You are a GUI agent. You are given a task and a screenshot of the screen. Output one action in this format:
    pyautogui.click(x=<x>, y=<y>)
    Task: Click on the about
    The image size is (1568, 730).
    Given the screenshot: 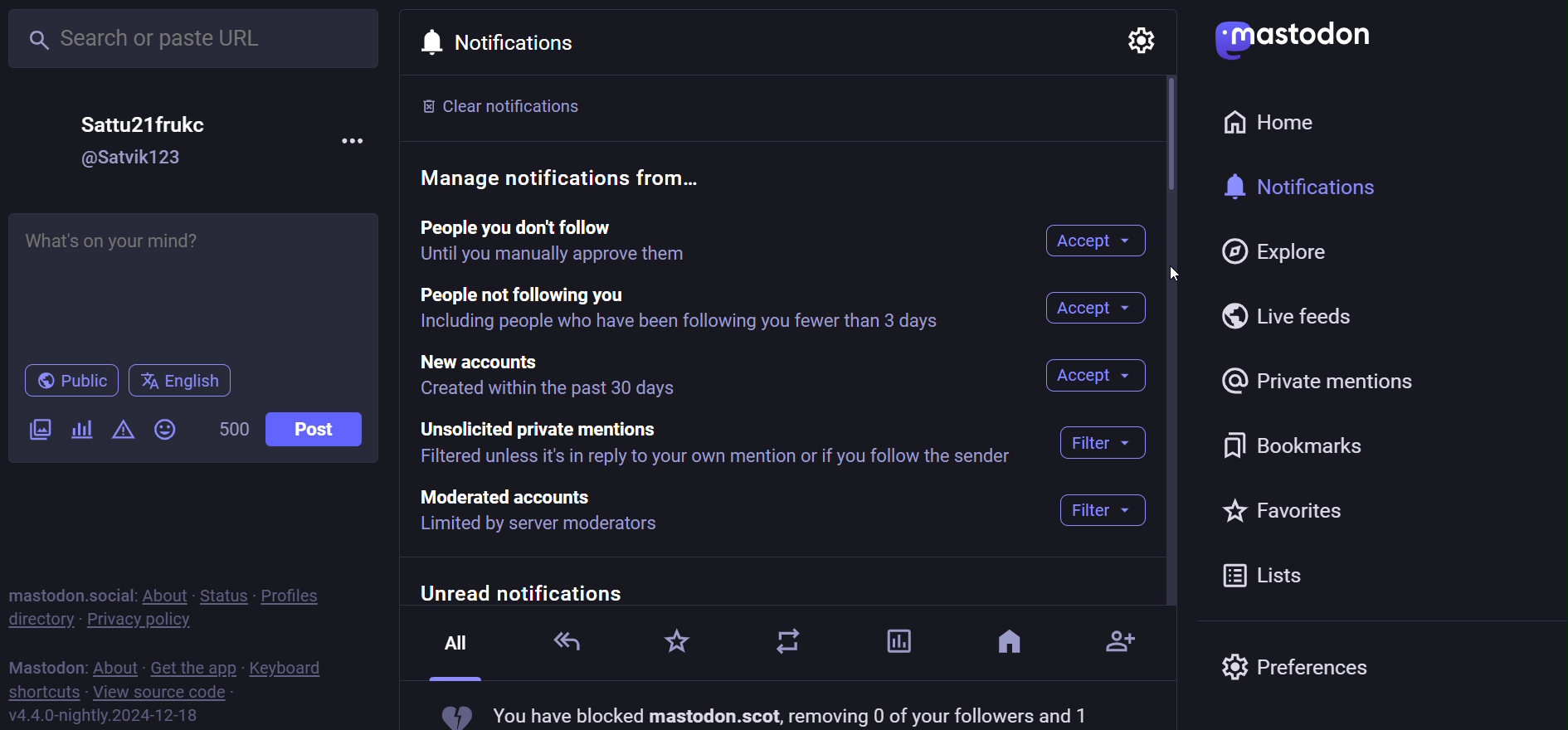 What is the action you would take?
    pyautogui.click(x=162, y=593)
    